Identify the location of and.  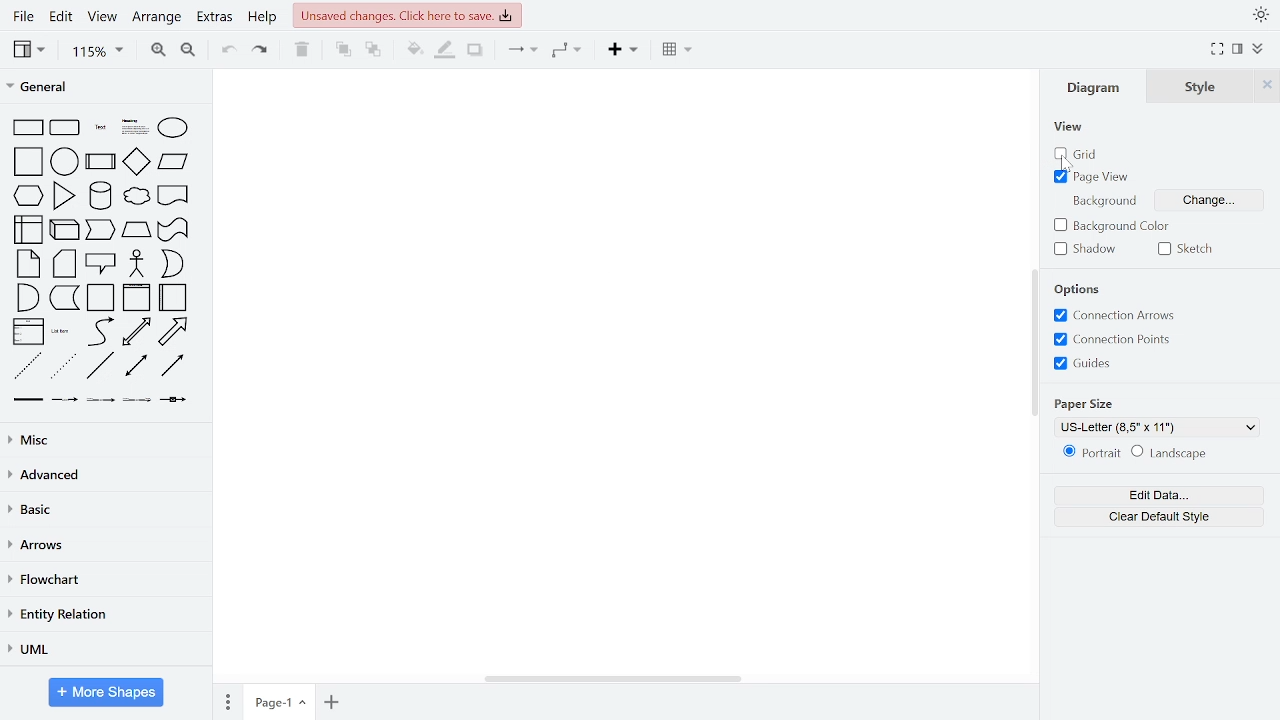
(28, 297).